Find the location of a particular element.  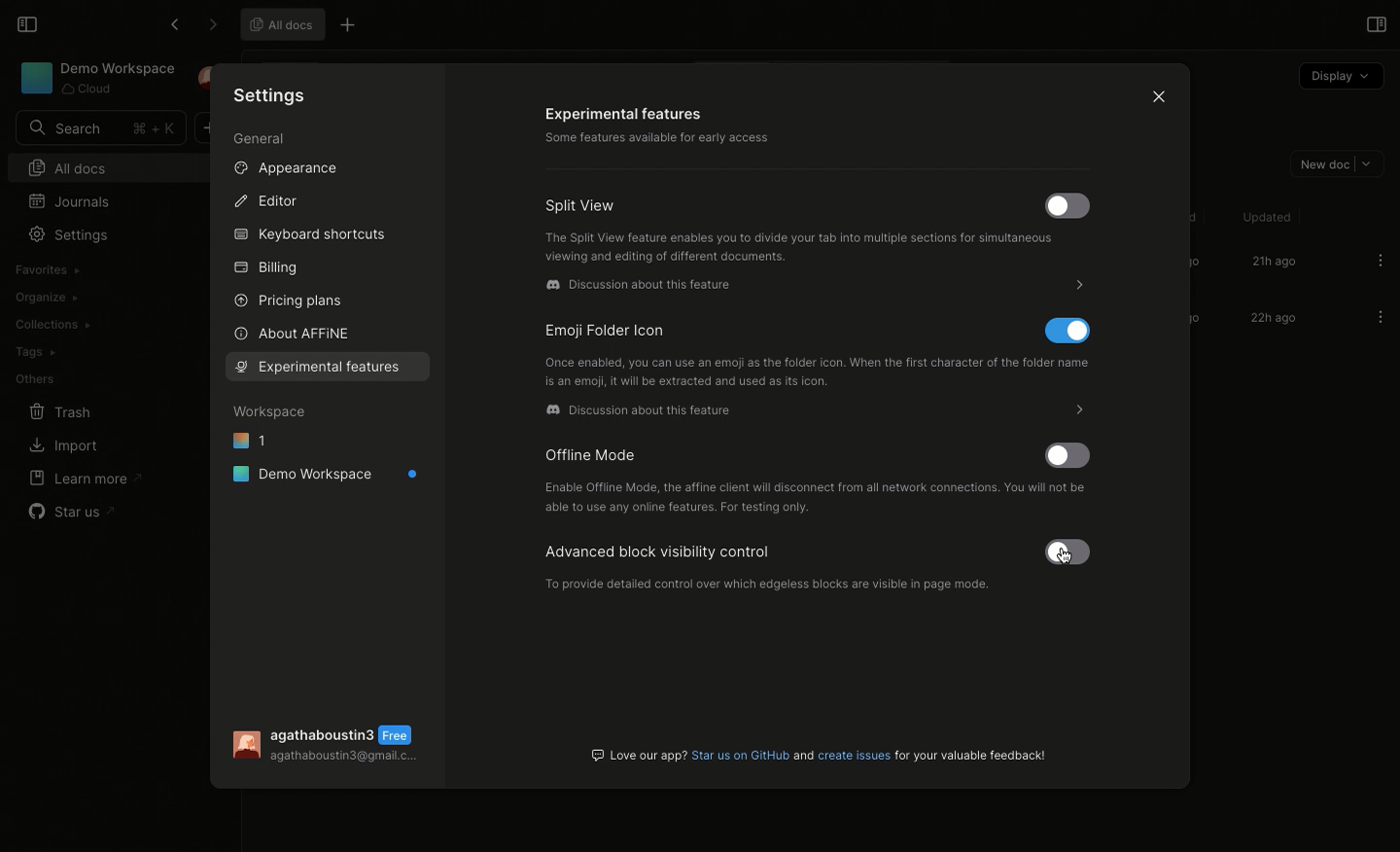

Demo workspace is located at coordinates (327, 474).